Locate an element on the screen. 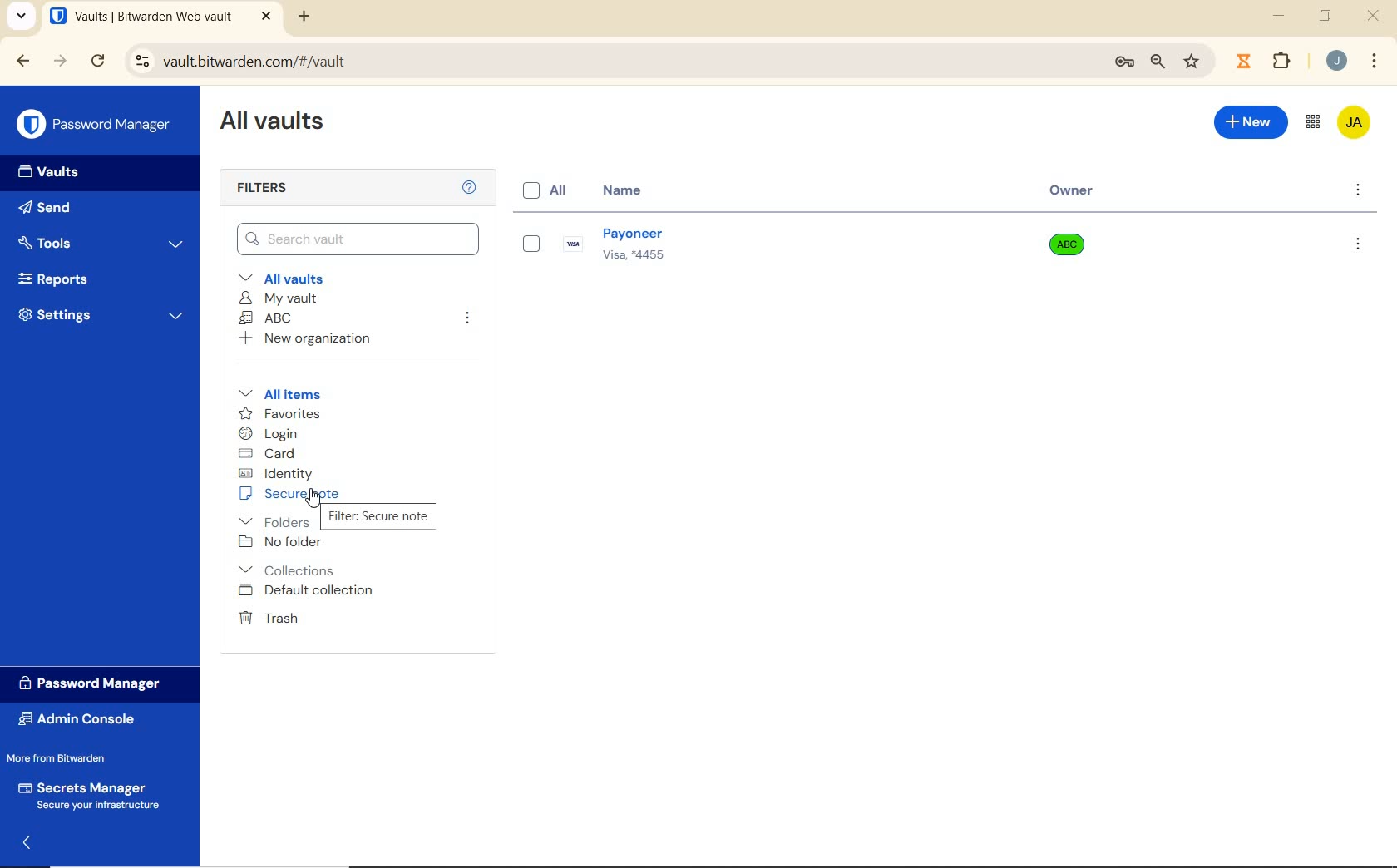  minimize is located at coordinates (1279, 15).